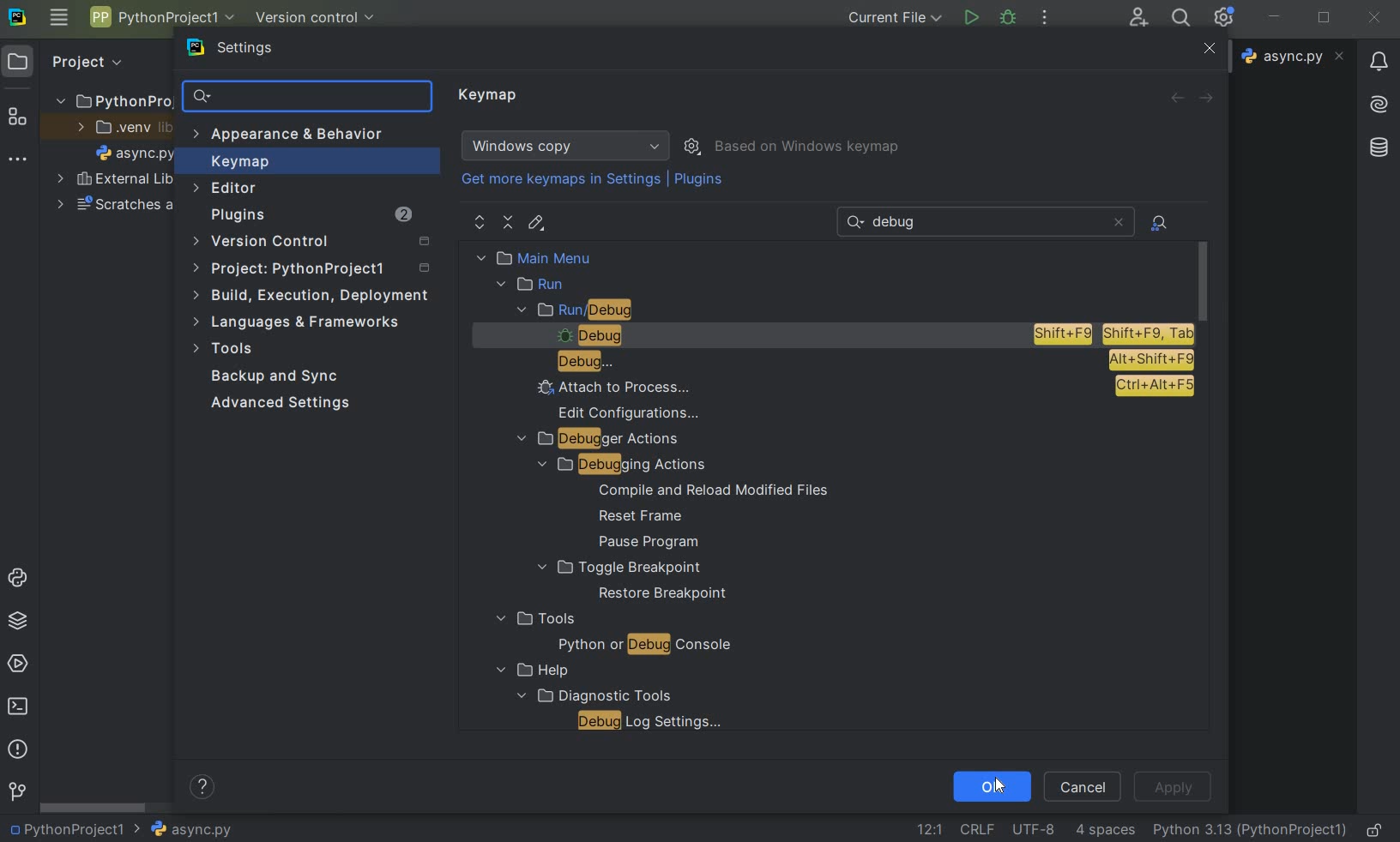 The image size is (1400, 842). Describe the element at coordinates (643, 543) in the screenshot. I see `pause program` at that location.